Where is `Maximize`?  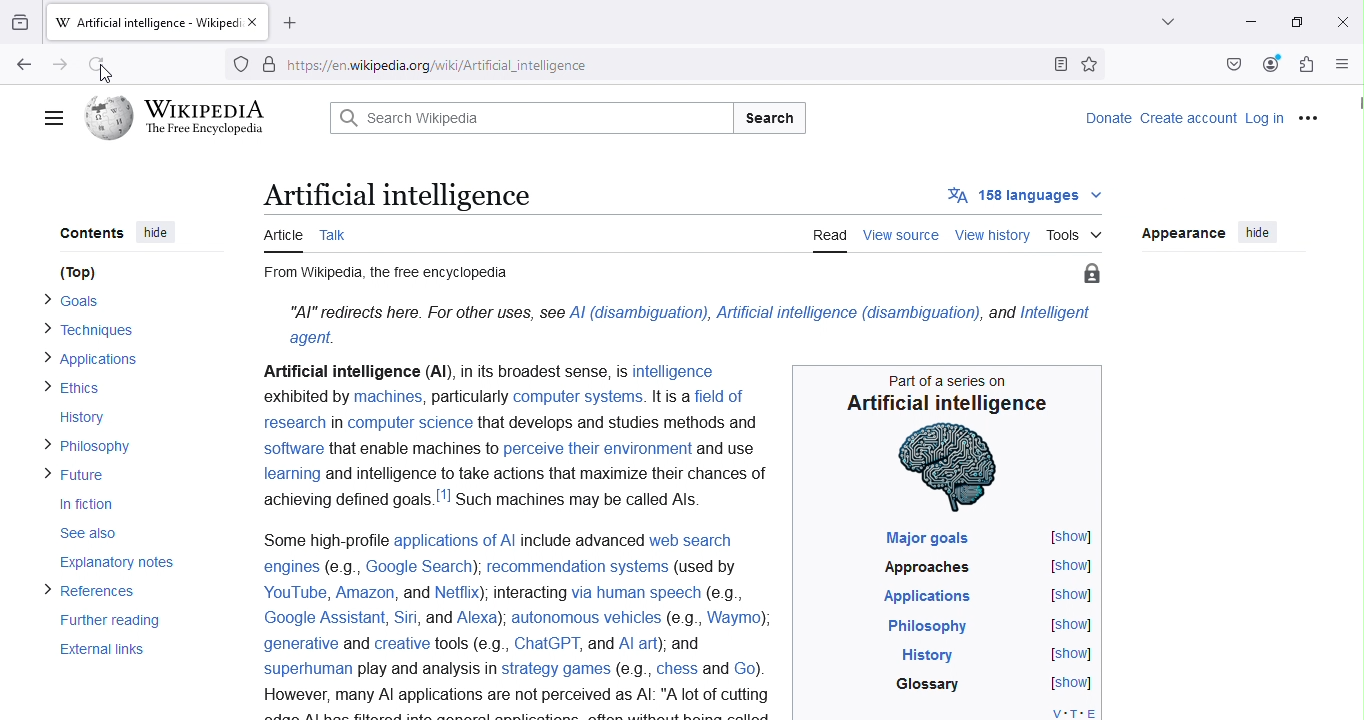
Maximize is located at coordinates (1292, 24).